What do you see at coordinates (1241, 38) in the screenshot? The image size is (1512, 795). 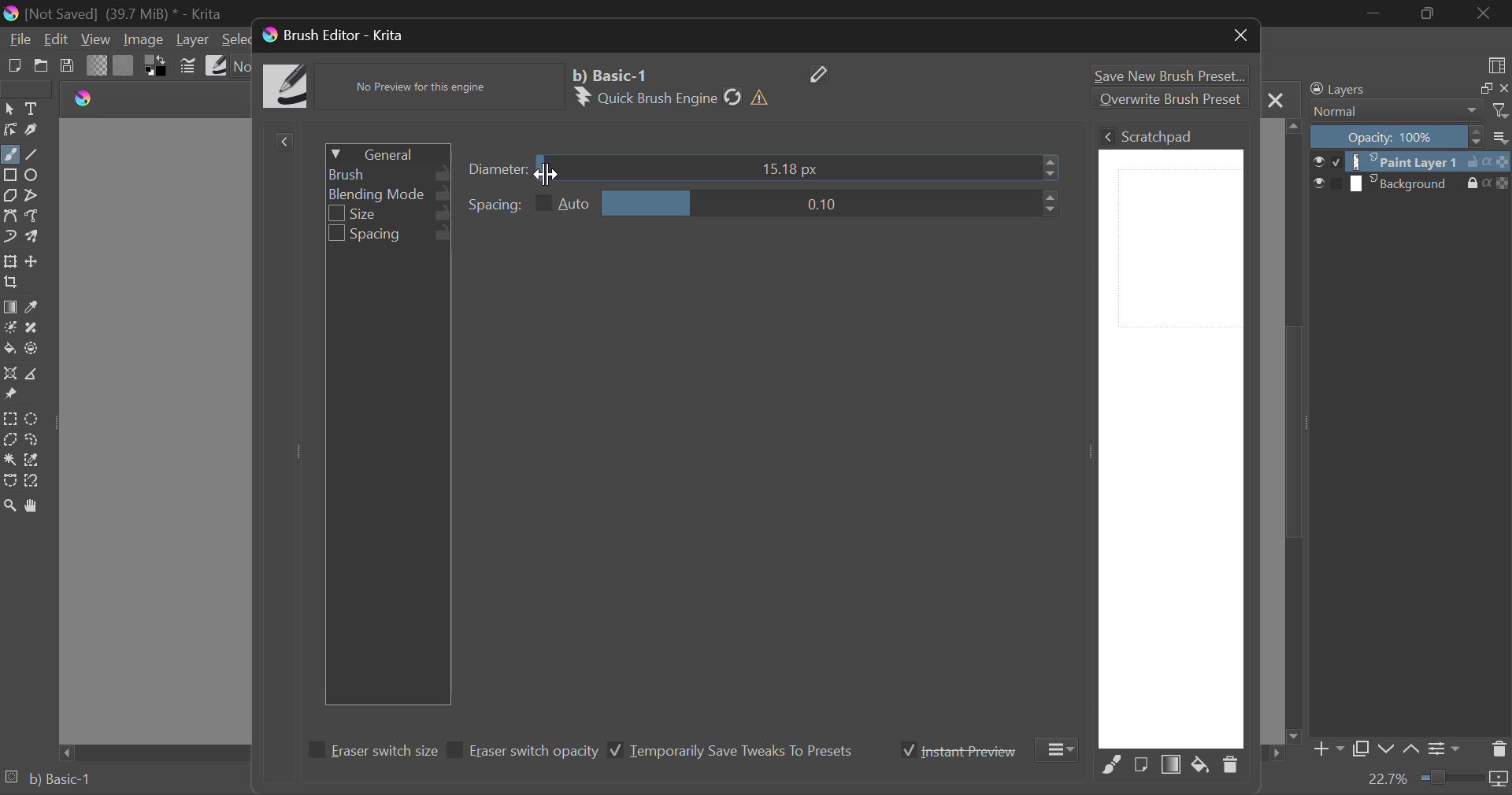 I see `Close` at bounding box center [1241, 38].